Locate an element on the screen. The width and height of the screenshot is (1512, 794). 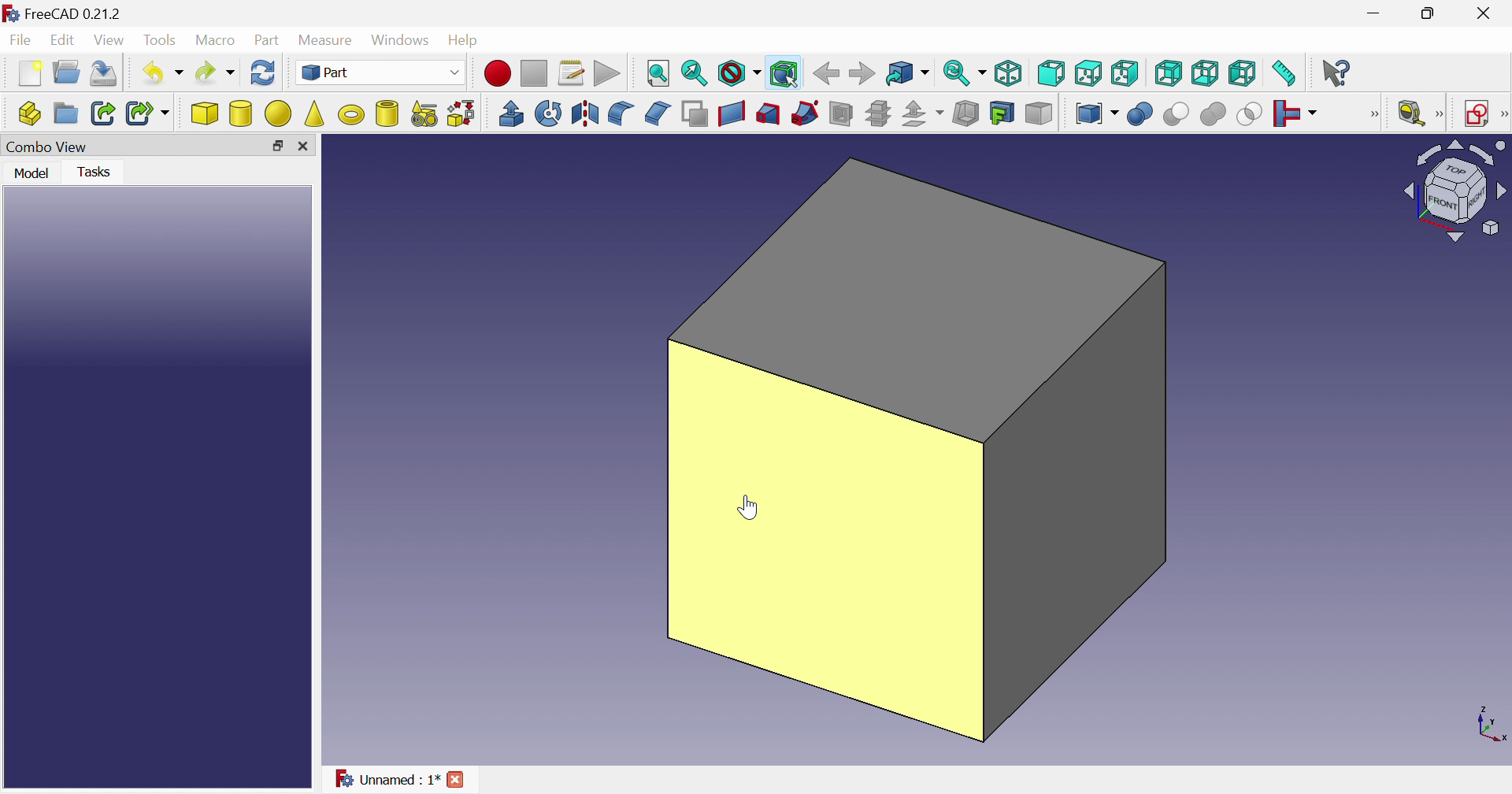
Create part is located at coordinates (29, 116).